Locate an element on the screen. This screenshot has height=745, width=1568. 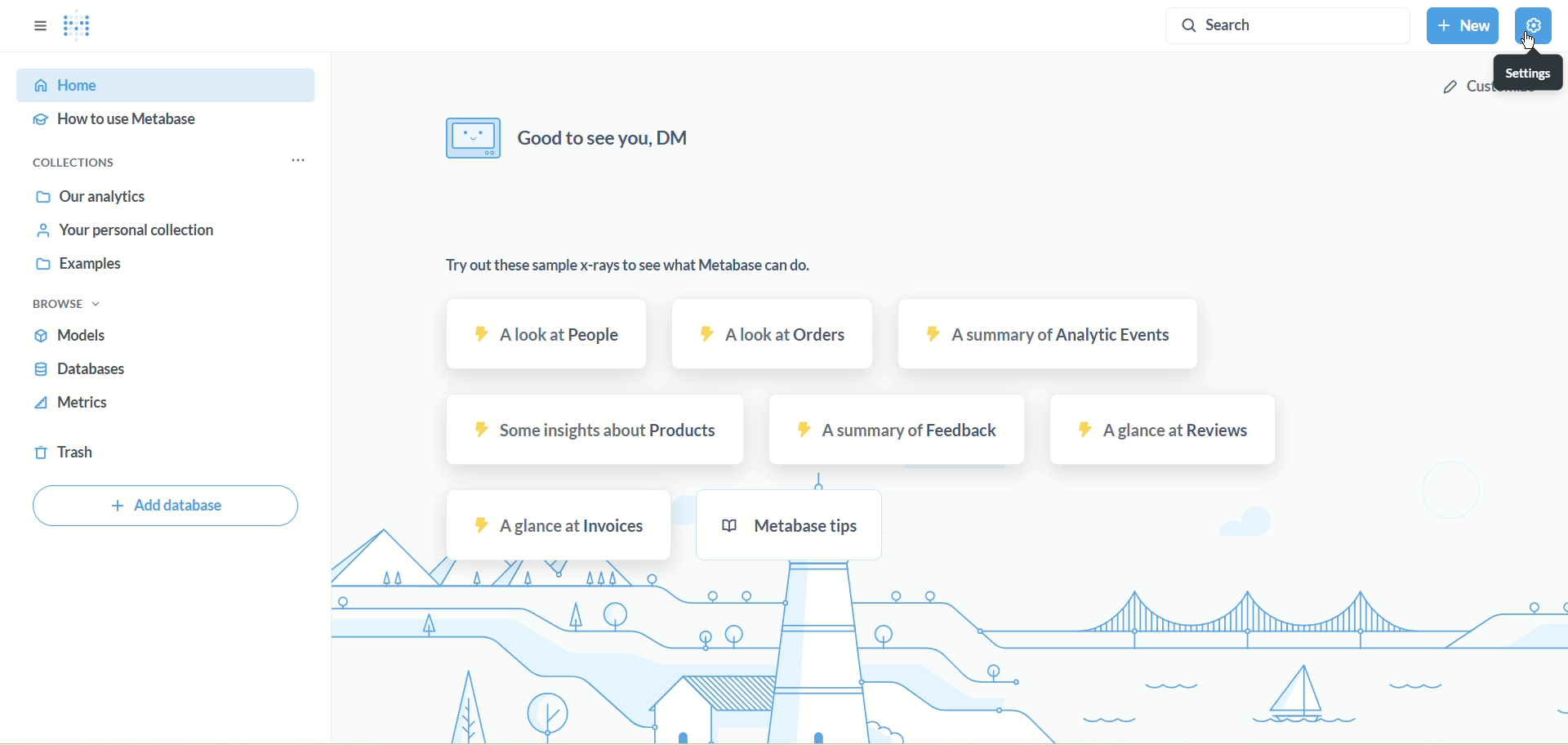
sidebar is located at coordinates (38, 25).